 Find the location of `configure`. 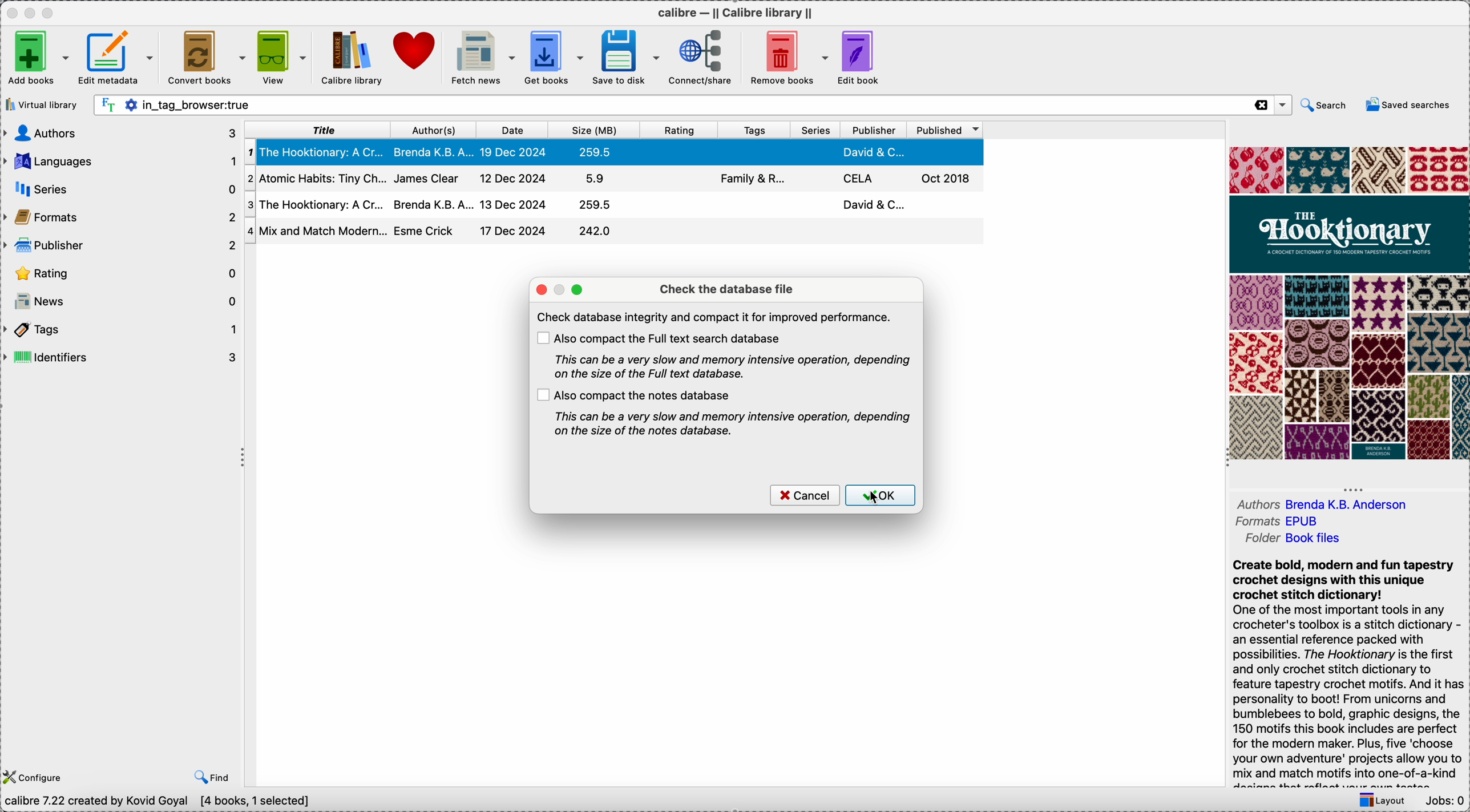

configure is located at coordinates (34, 777).